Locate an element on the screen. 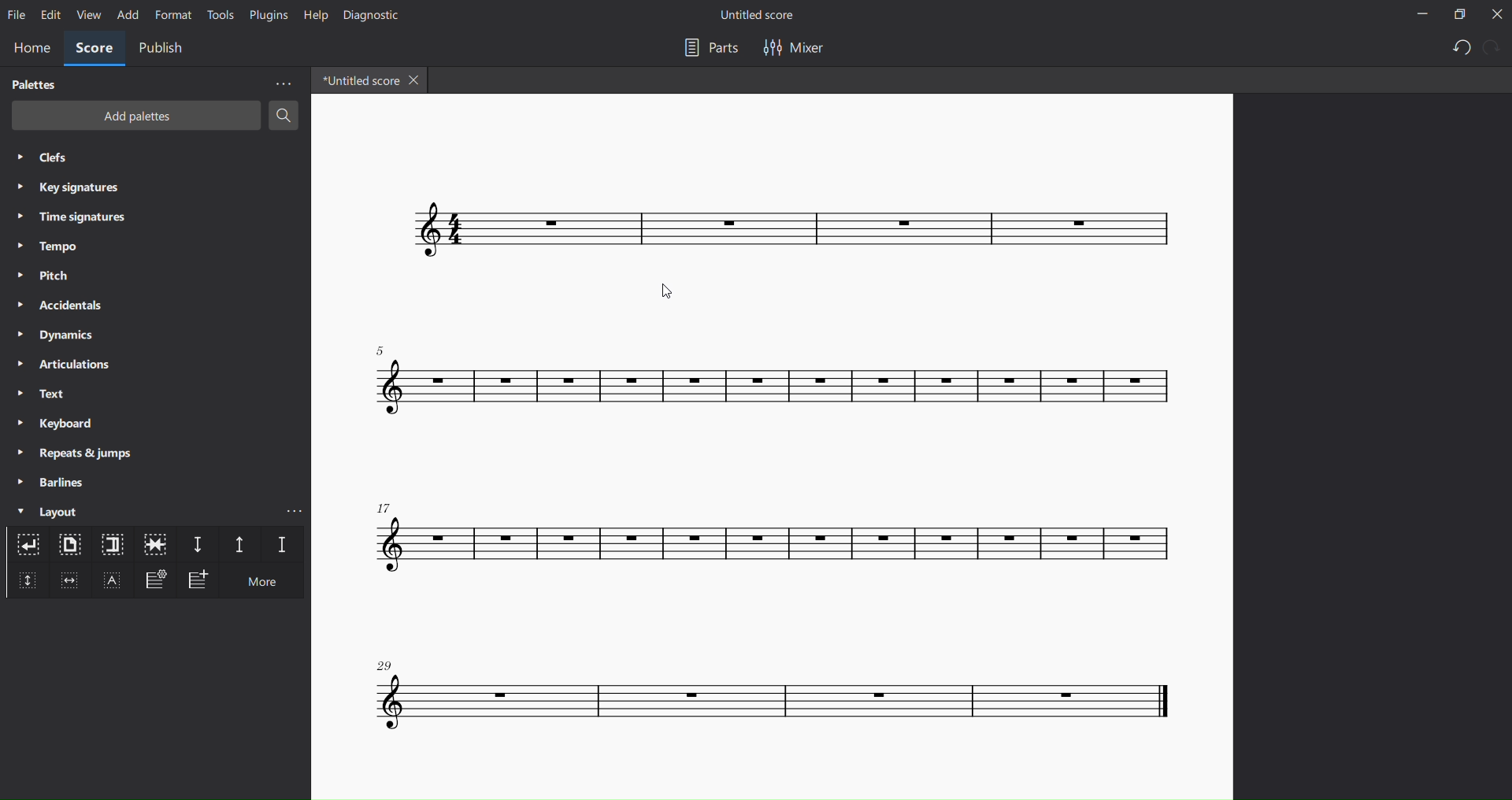 This screenshot has height=800, width=1512. diagnostic is located at coordinates (369, 15).